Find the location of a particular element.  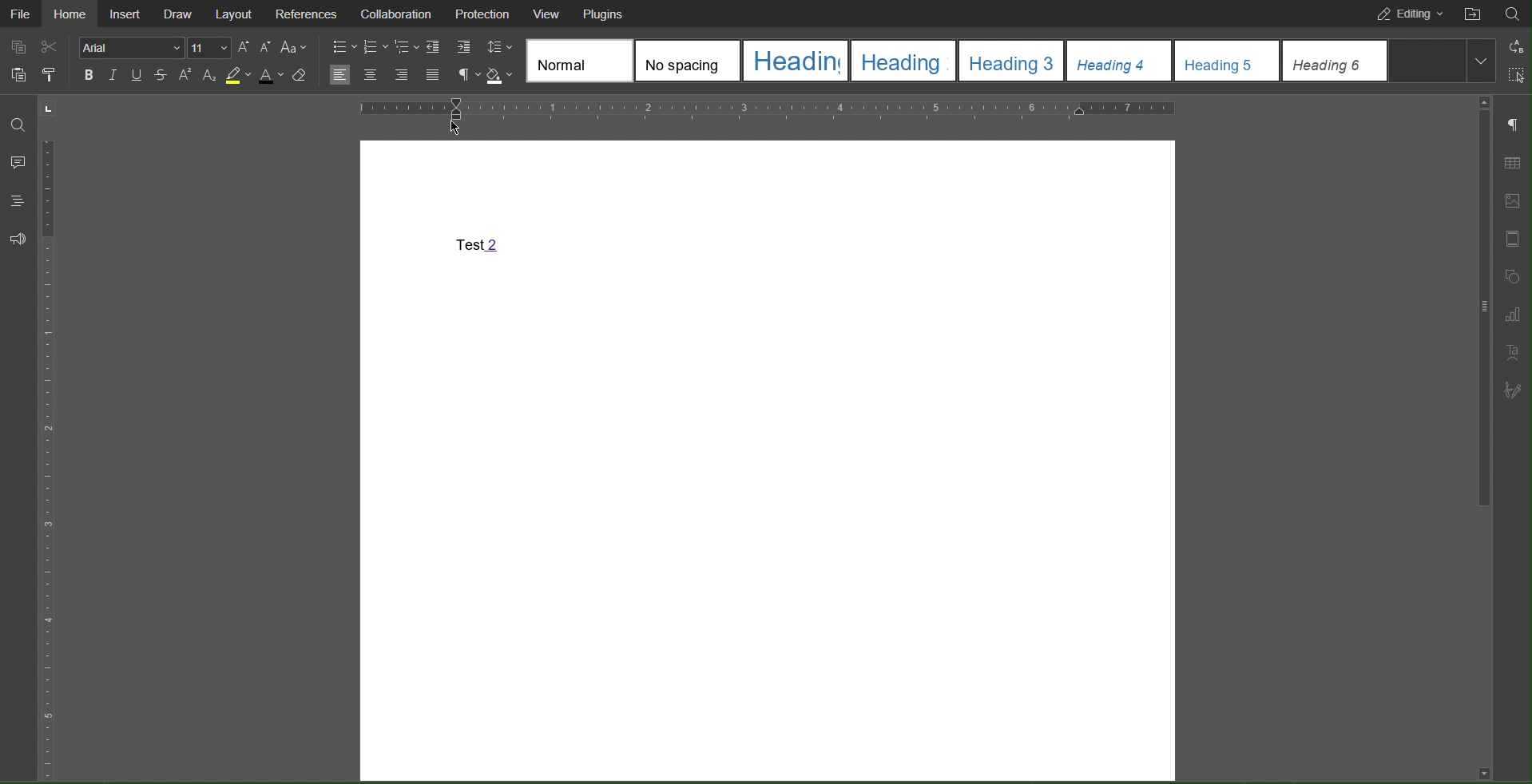

Heading is located at coordinates (903, 61).